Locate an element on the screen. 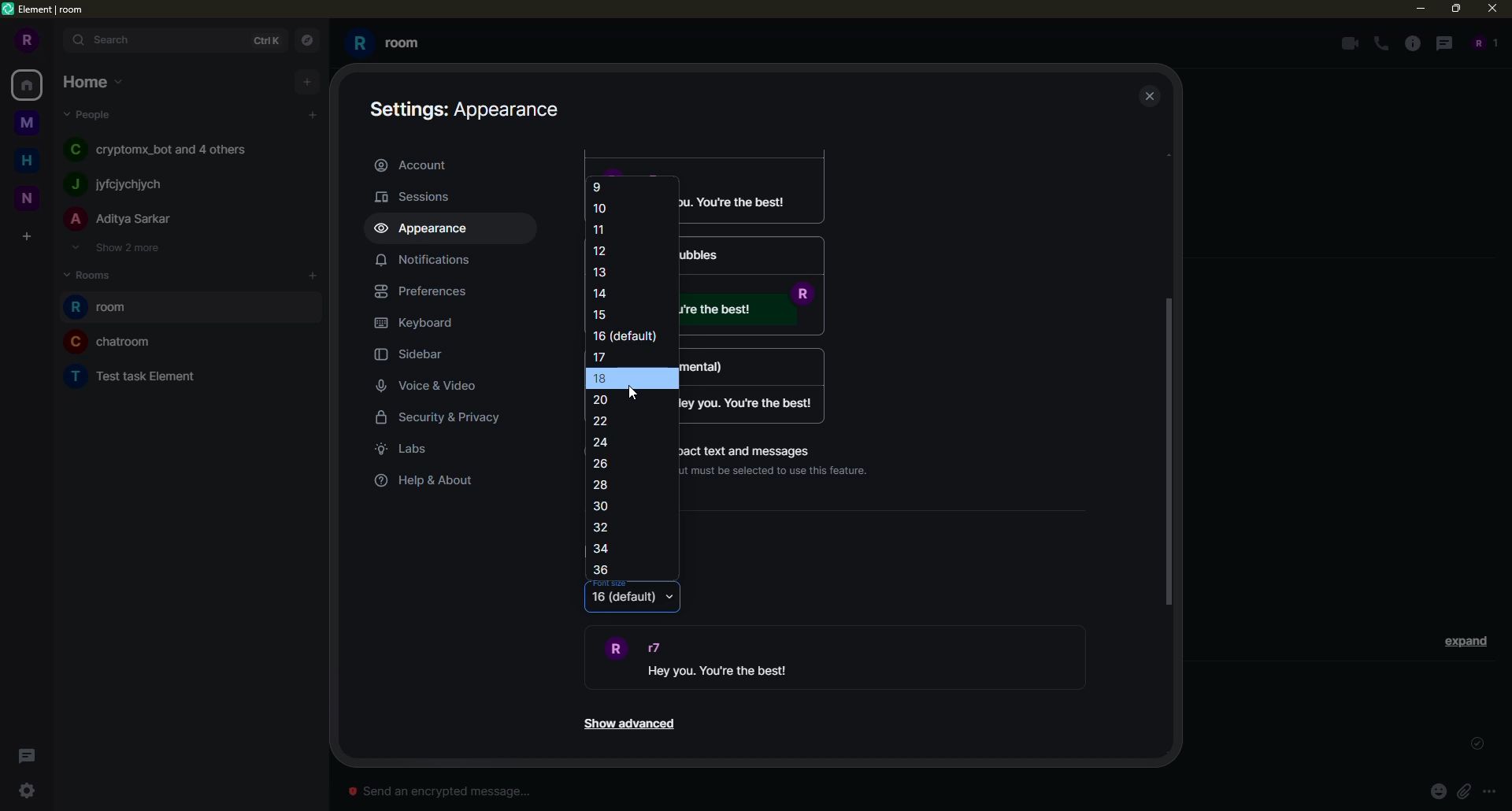  message is located at coordinates (754, 197).